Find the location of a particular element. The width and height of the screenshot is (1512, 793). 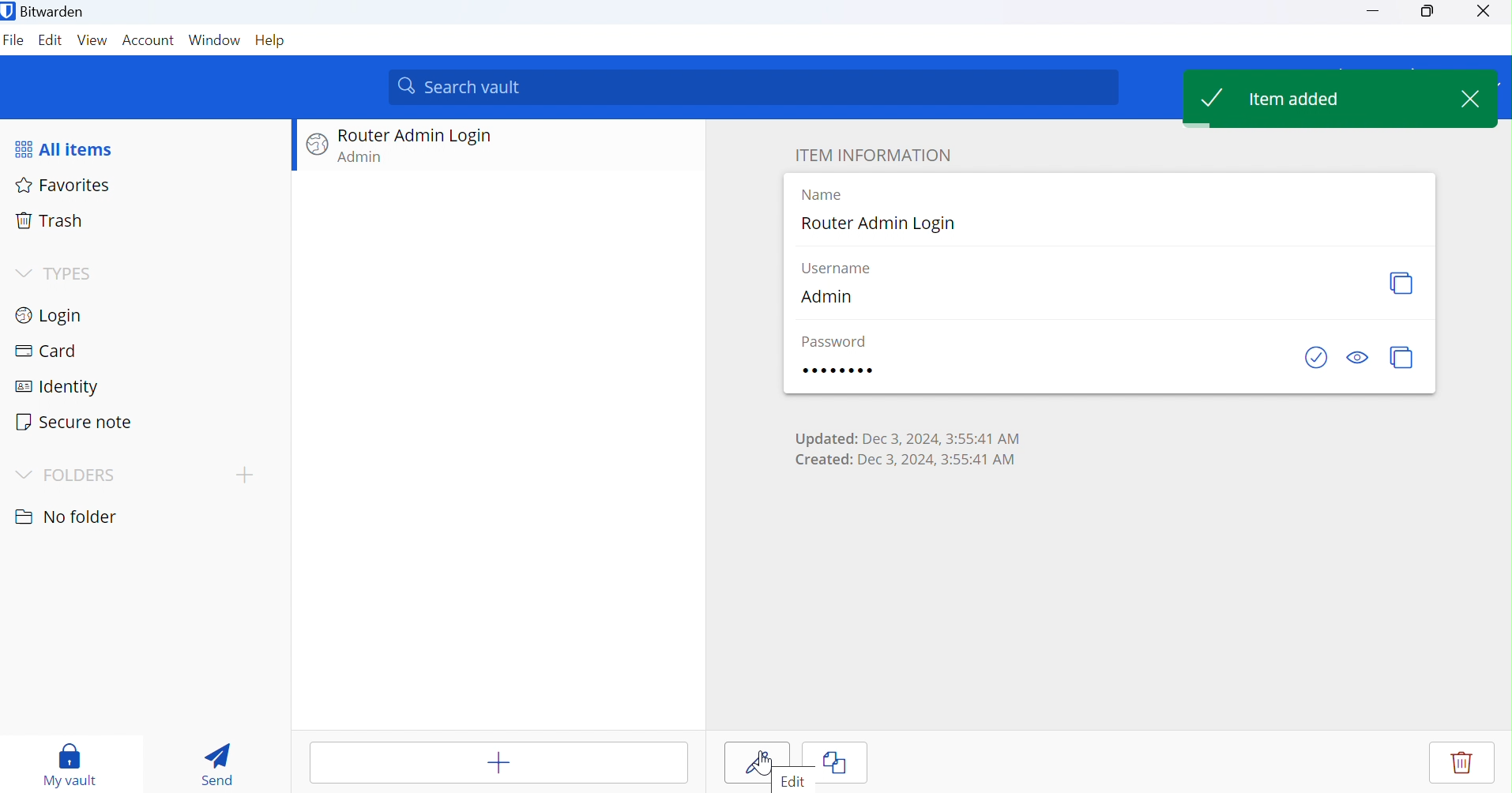

minimize is located at coordinates (1374, 13).